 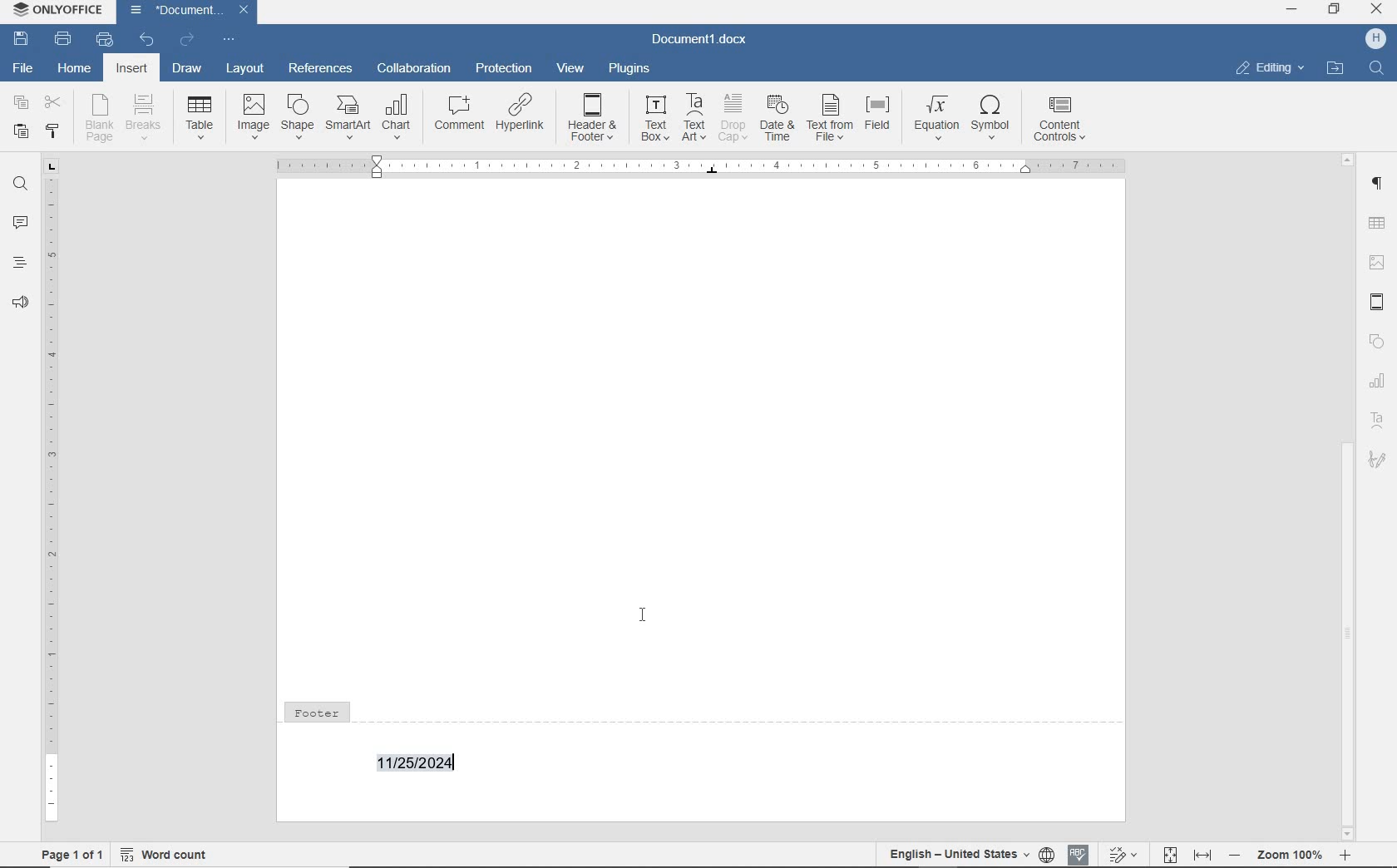 What do you see at coordinates (1379, 342) in the screenshot?
I see `shapes` at bounding box center [1379, 342].